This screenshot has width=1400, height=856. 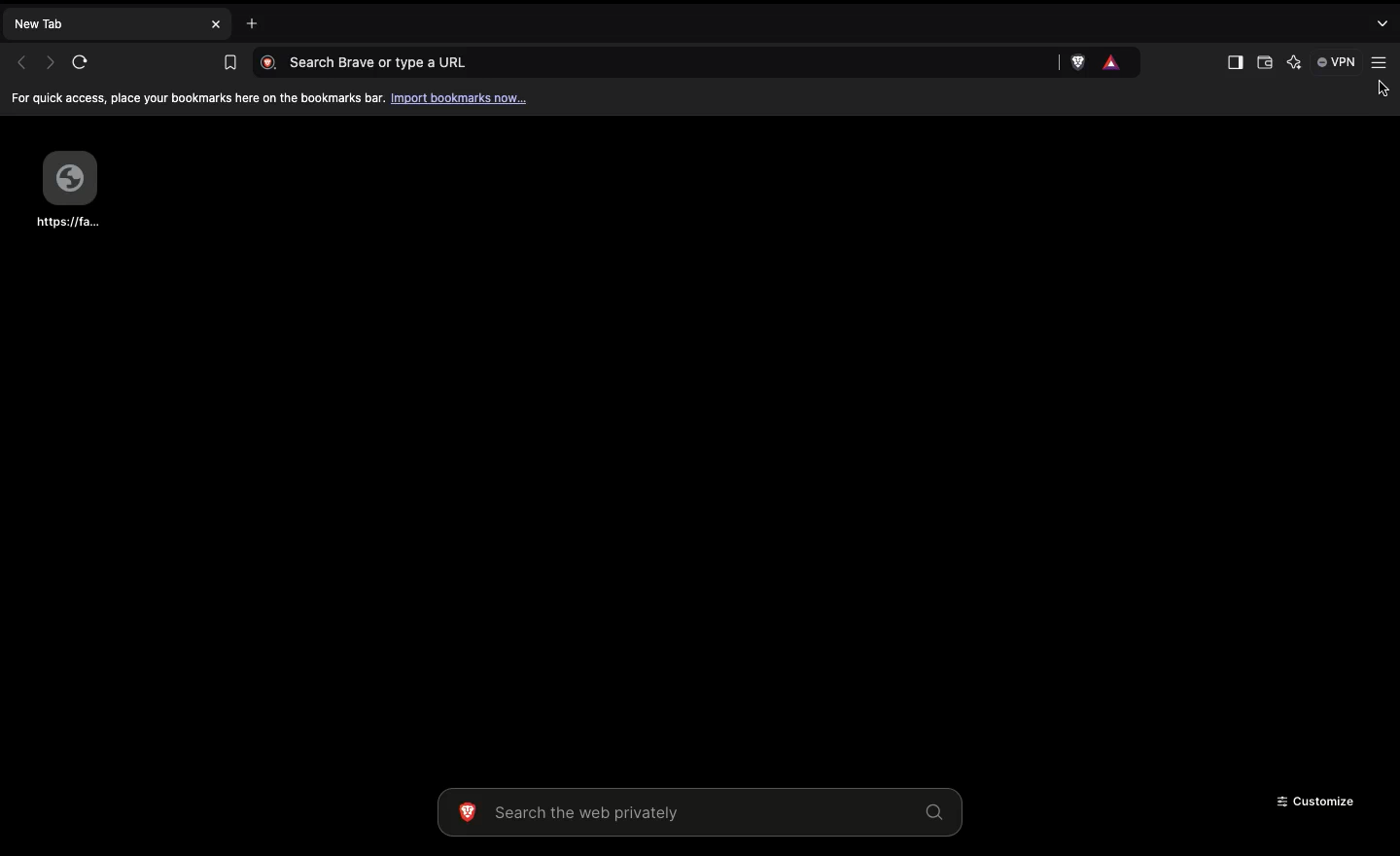 I want to click on Webpage, so click(x=67, y=188).